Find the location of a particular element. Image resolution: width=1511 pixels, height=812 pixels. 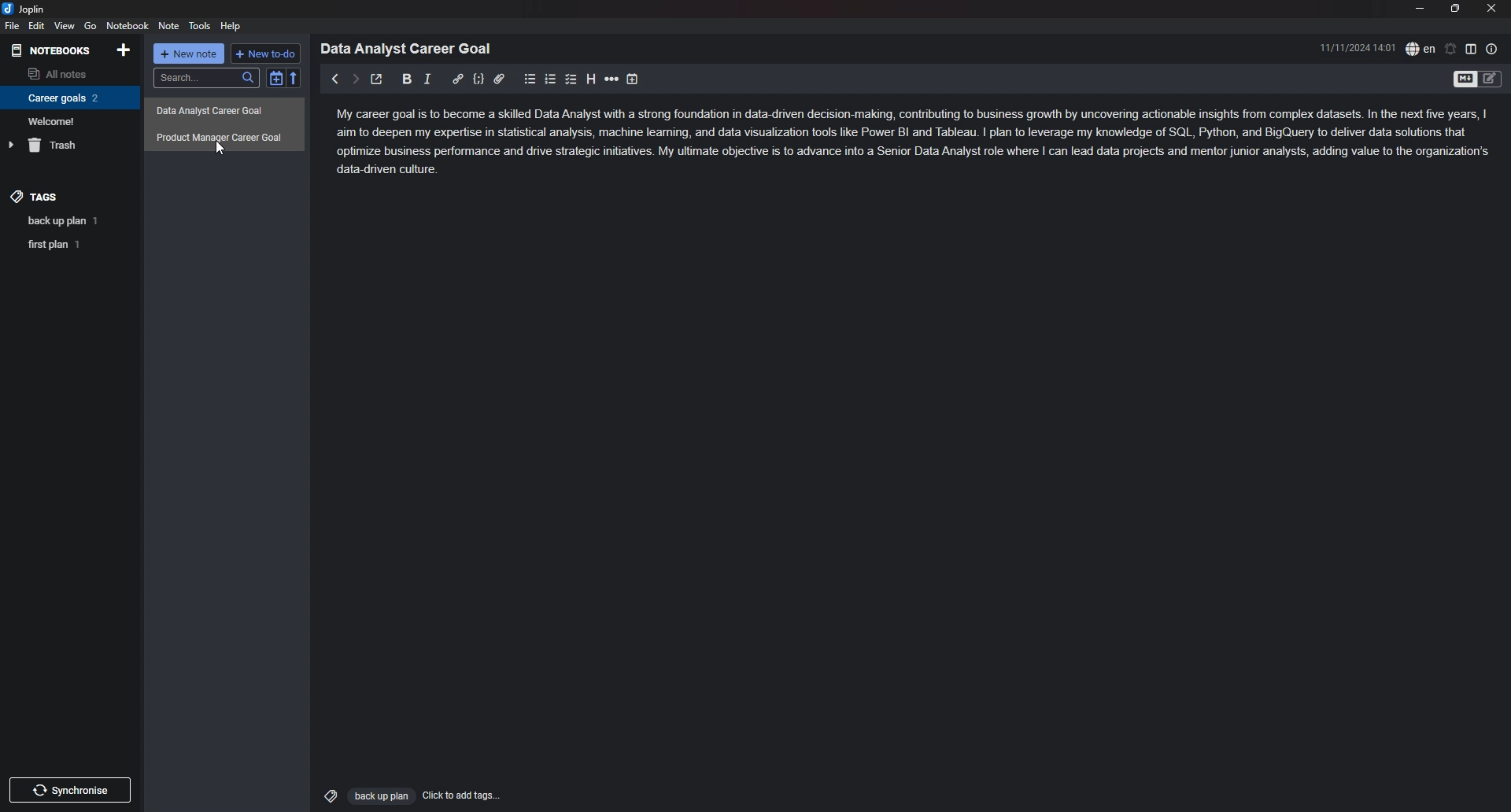

+ new note is located at coordinates (189, 54).